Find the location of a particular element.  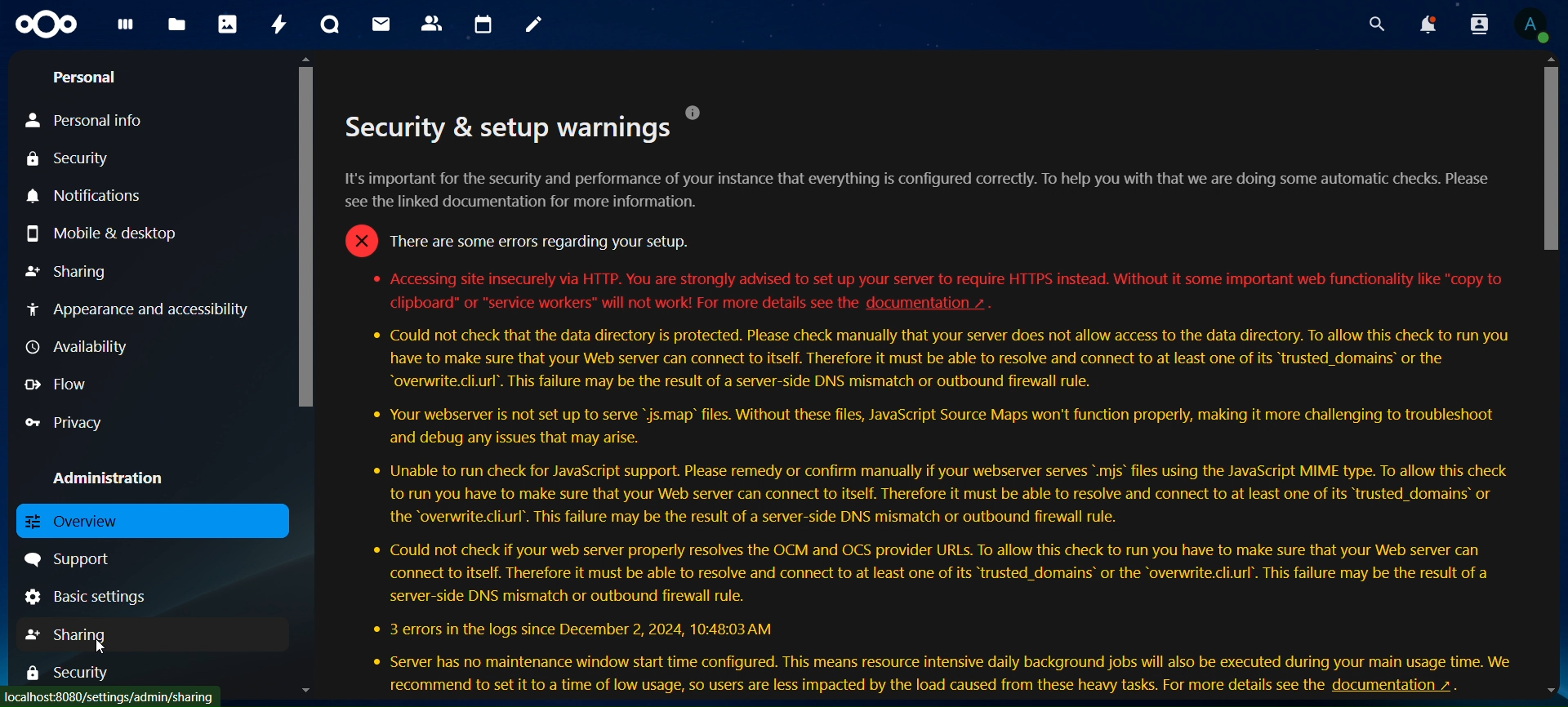

notifications is located at coordinates (87, 197).